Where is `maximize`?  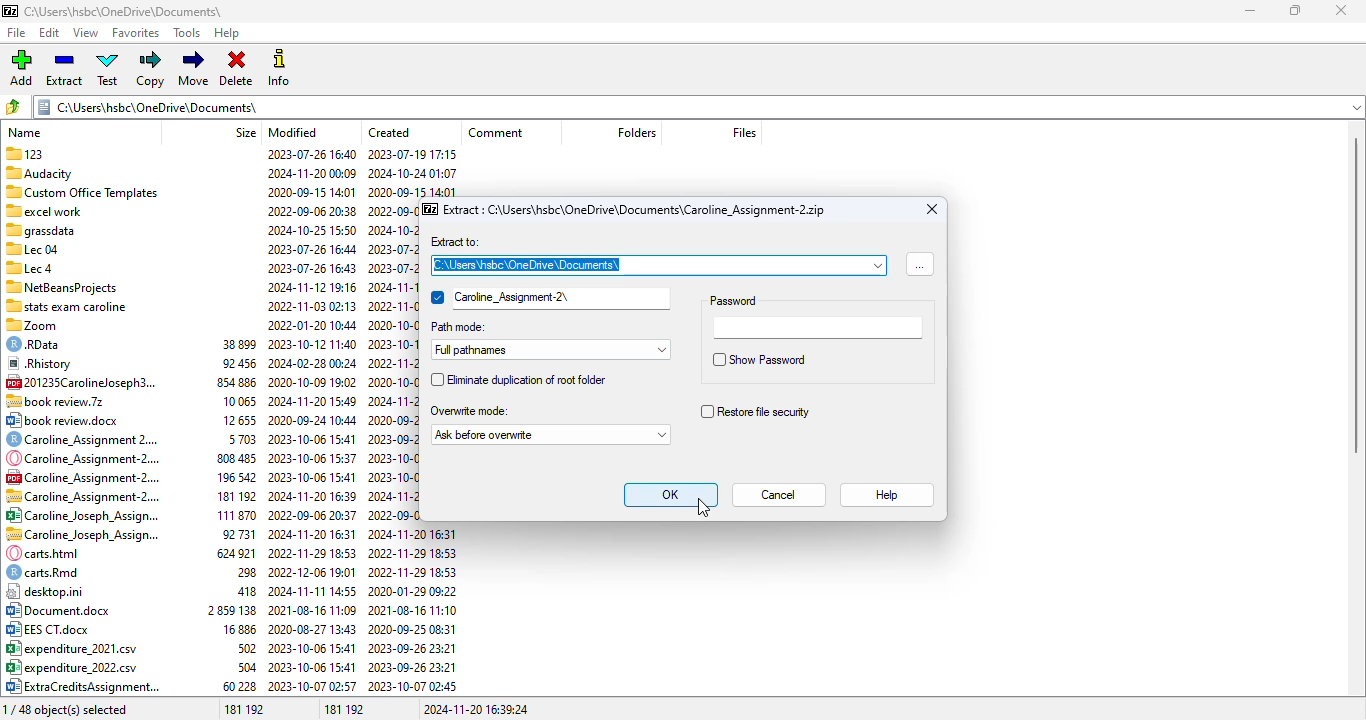 maximize is located at coordinates (1295, 11).